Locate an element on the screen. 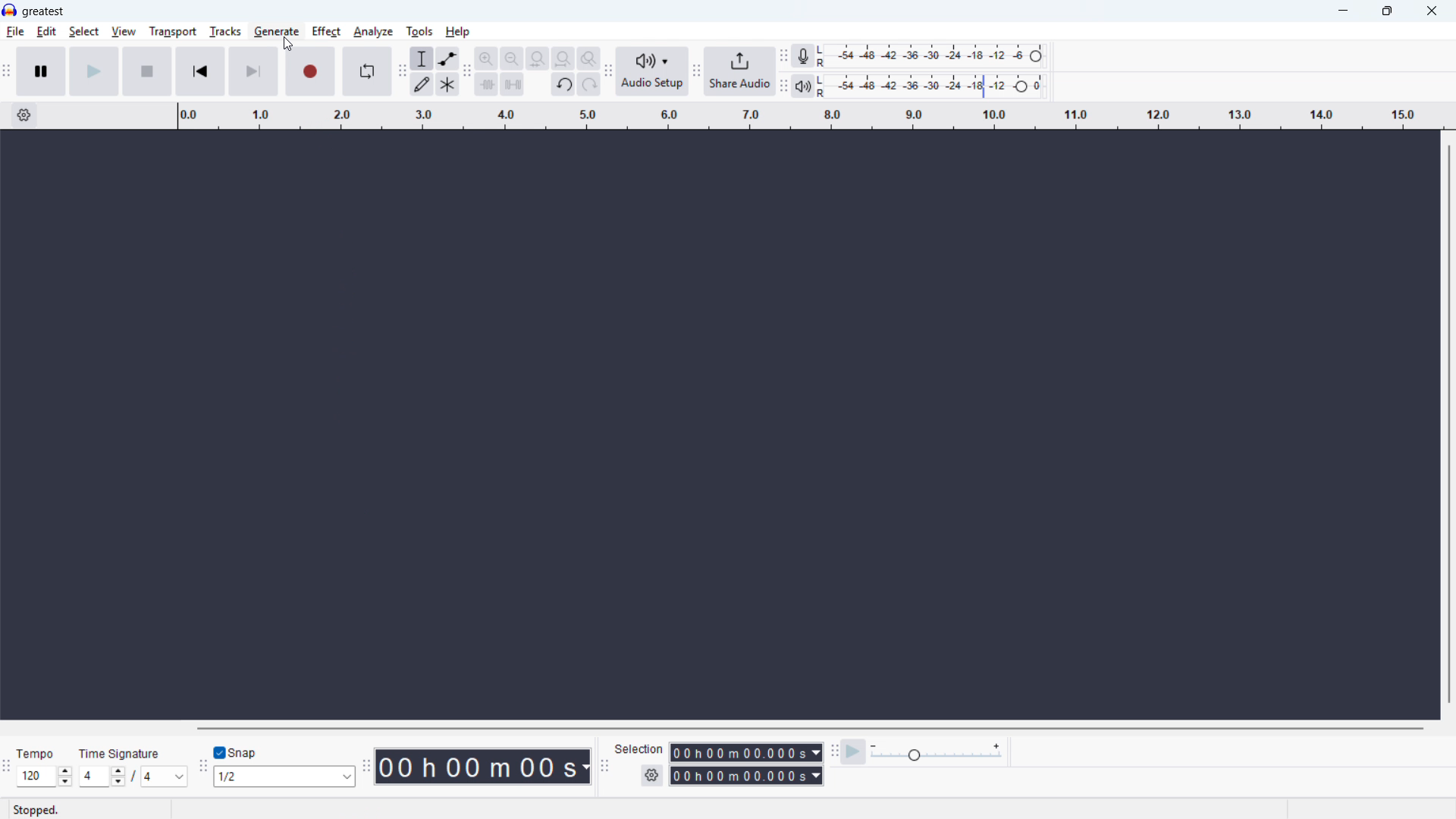 This screenshot has height=819, width=1456. Timestamp  is located at coordinates (485, 765).